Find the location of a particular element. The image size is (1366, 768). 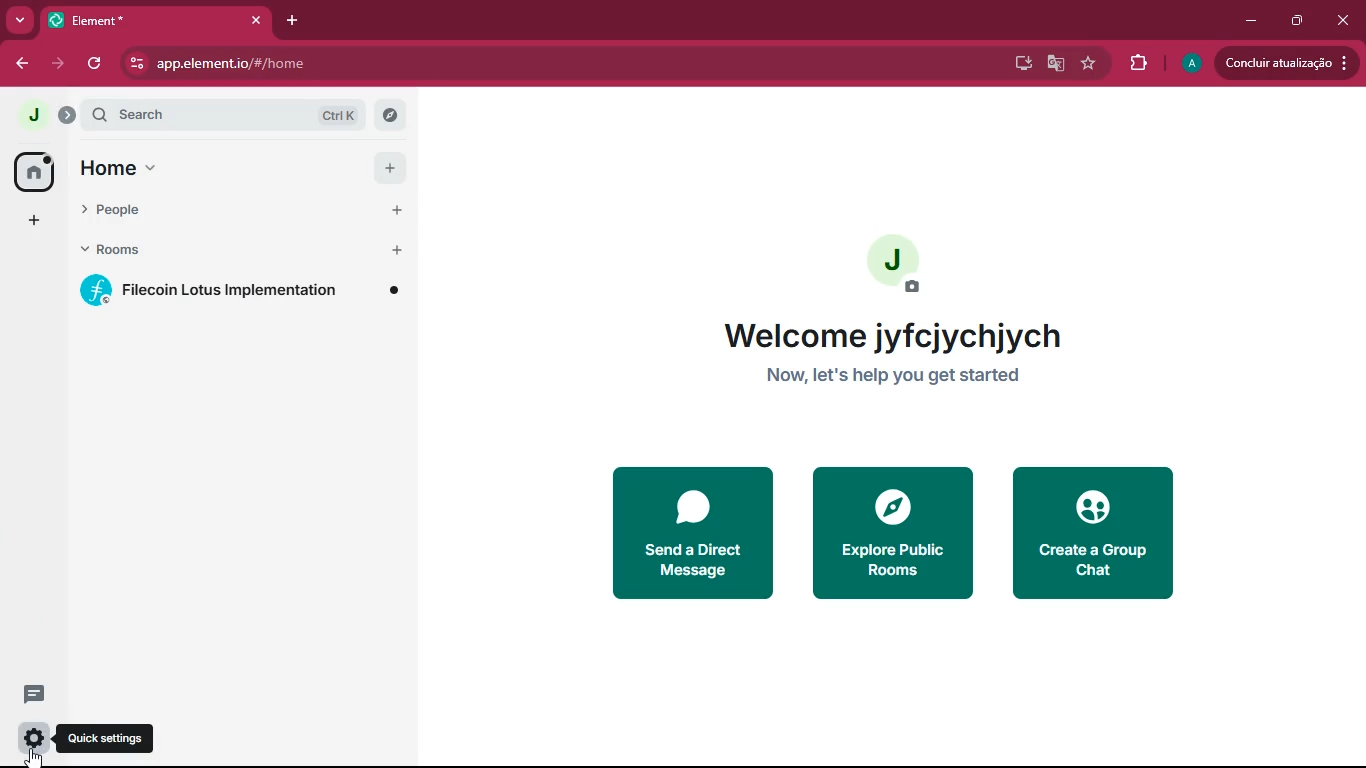

explore public rooms is located at coordinates (892, 534).